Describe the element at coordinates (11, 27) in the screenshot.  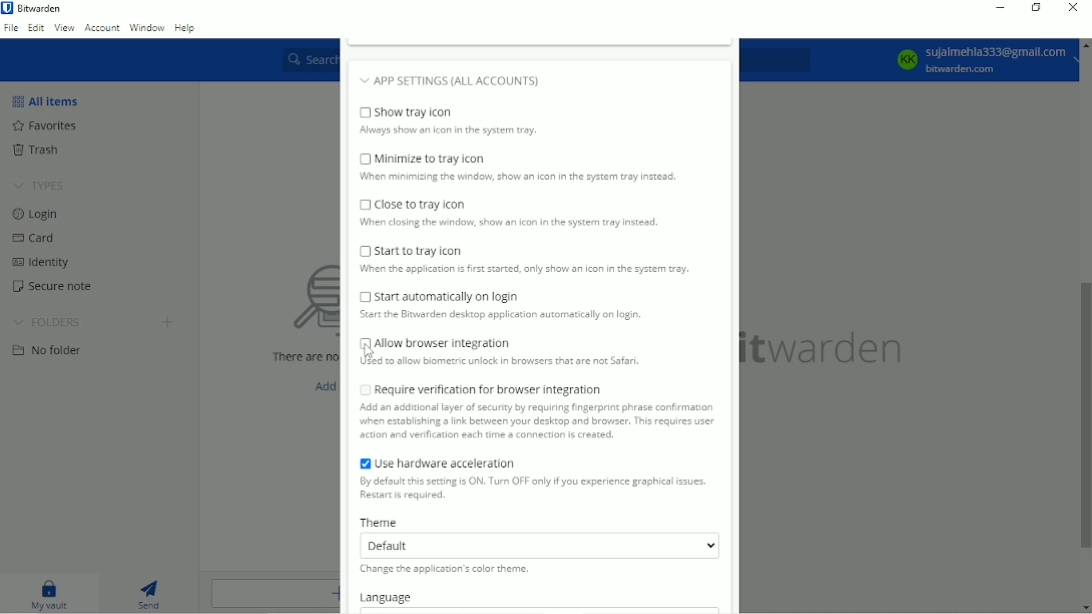
I see `File` at that location.